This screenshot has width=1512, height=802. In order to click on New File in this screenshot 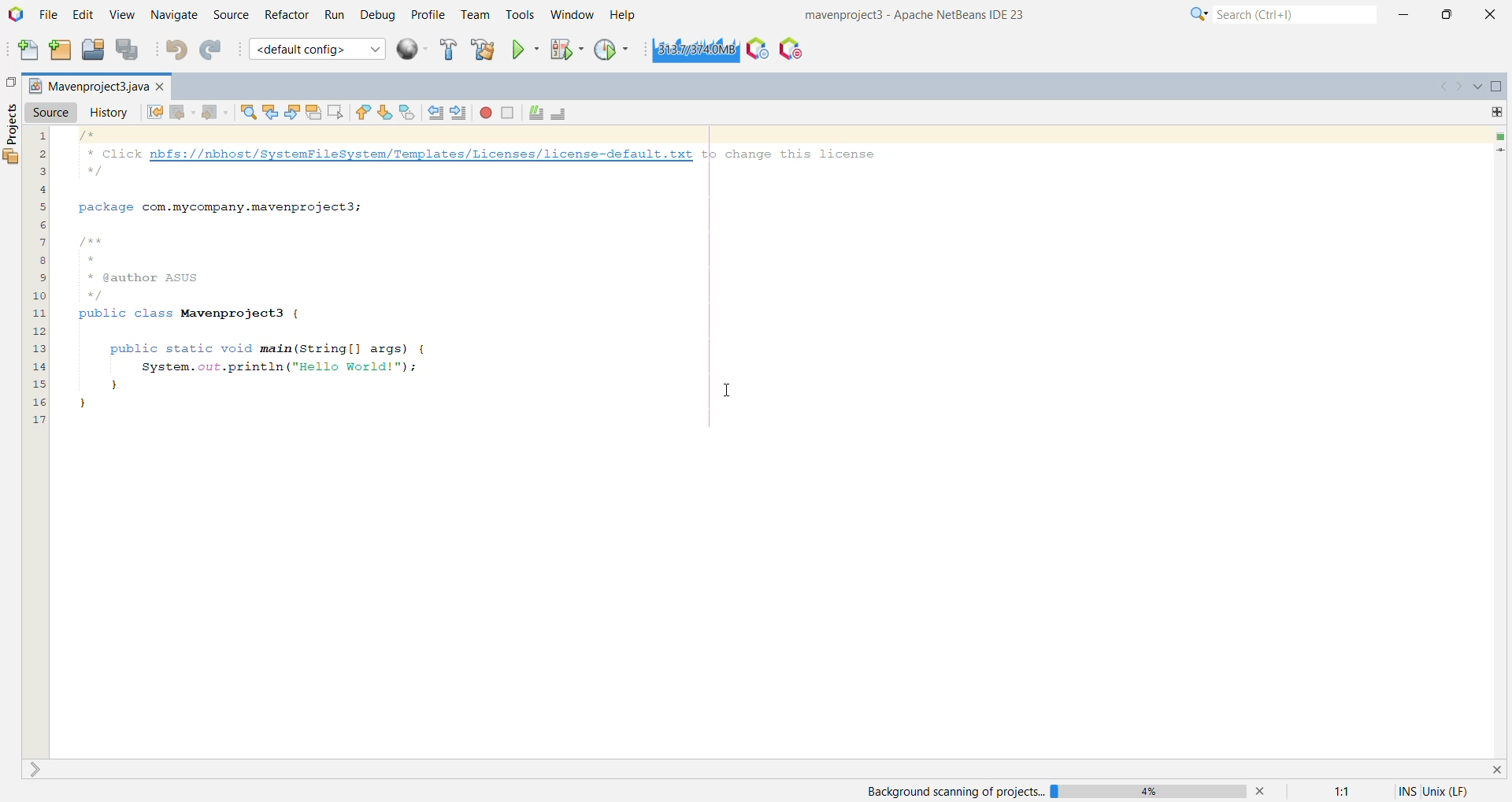, I will do `click(25, 50)`.